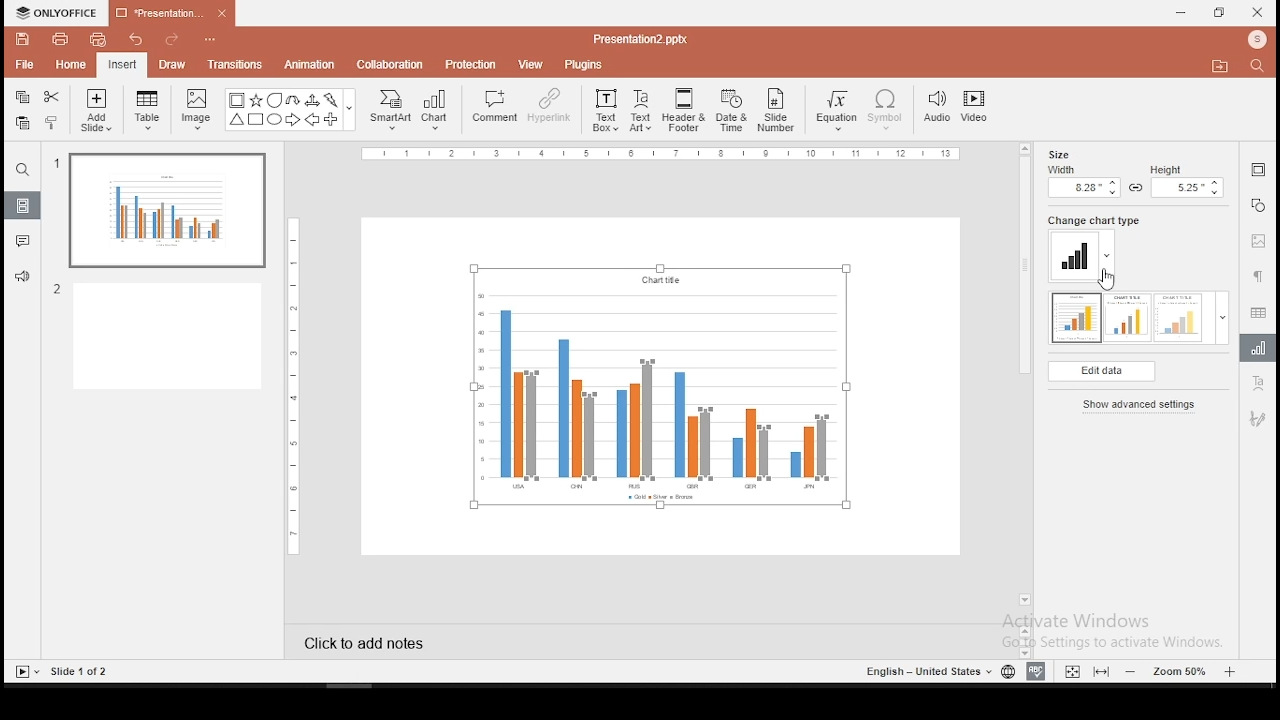  Describe the element at coordinates (1084, 255) in the screenshot. I see `change chart type` at that location.